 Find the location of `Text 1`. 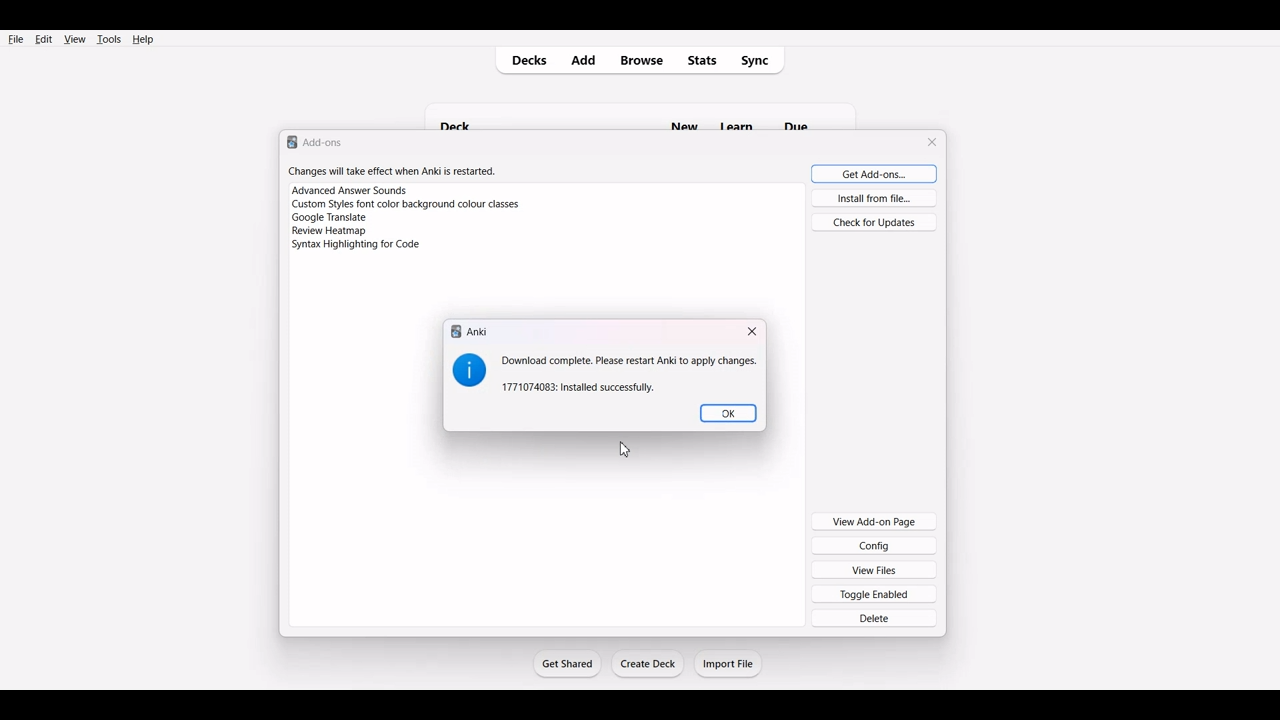

Text 1 is located at coordinates (469, 332).